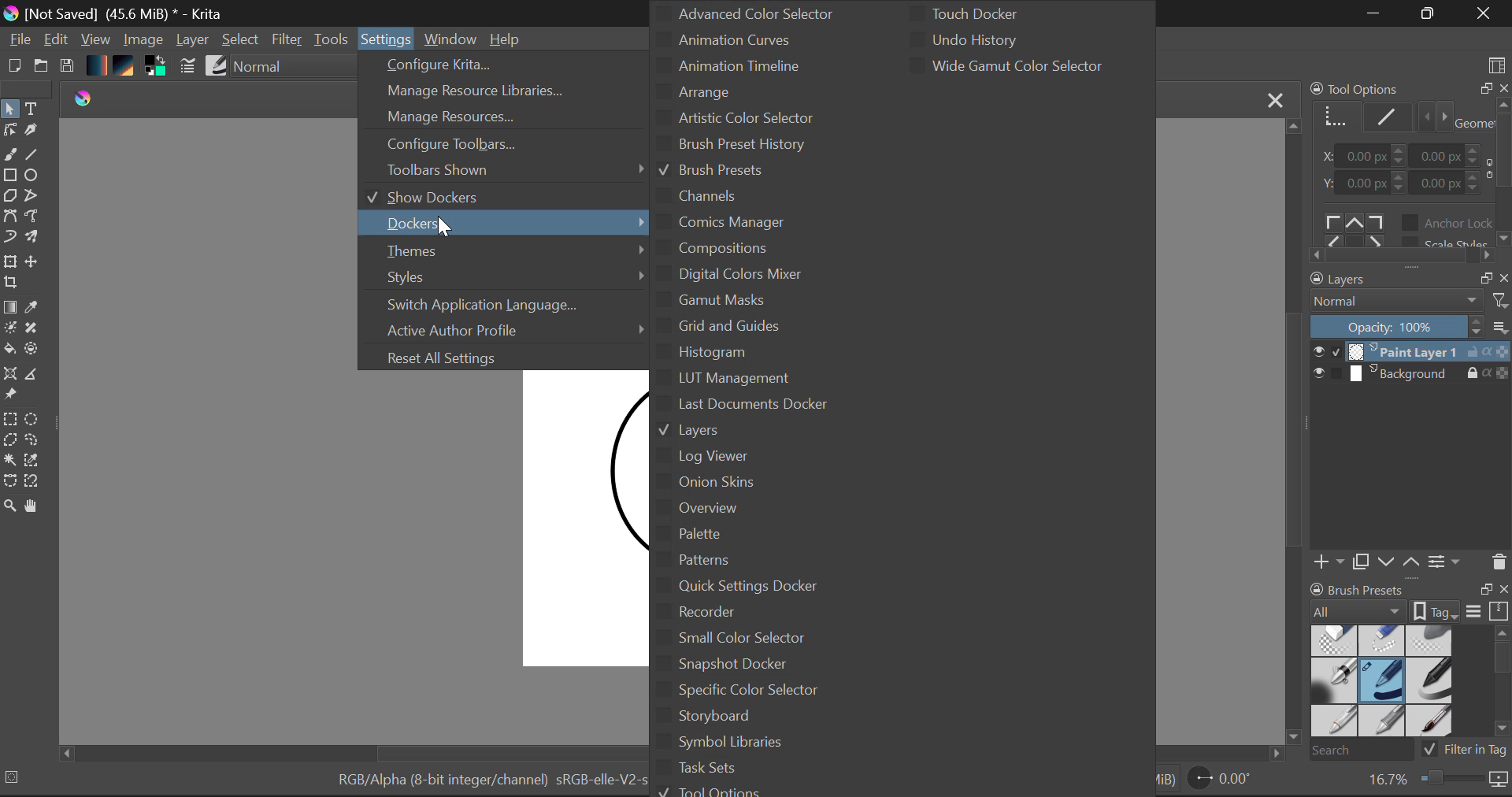 This screenshot has height=797, width=1512. I want to click on Layers, so click(1411, 362).